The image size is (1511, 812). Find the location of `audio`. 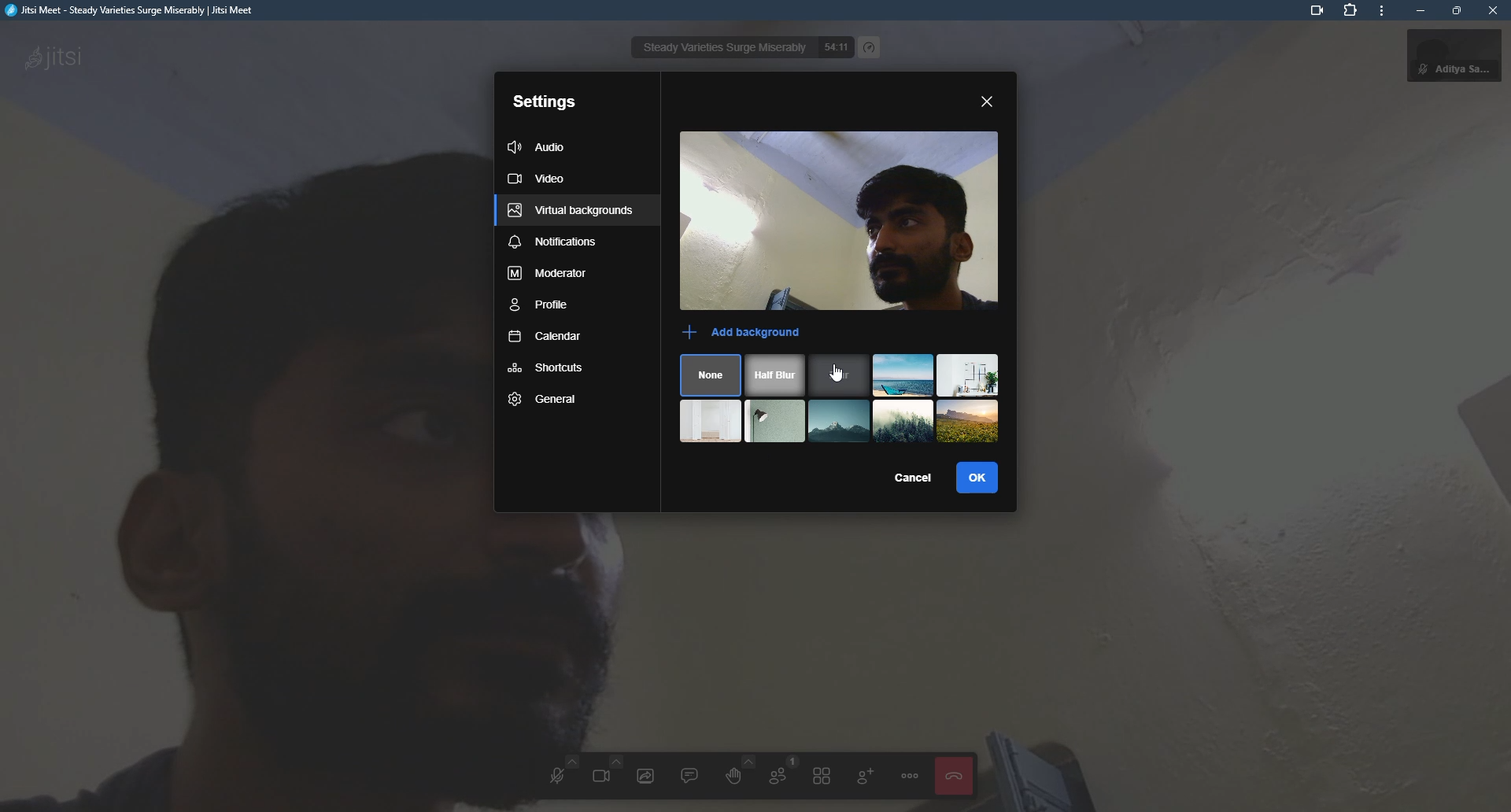

audio is located at coordinates (541, 145).